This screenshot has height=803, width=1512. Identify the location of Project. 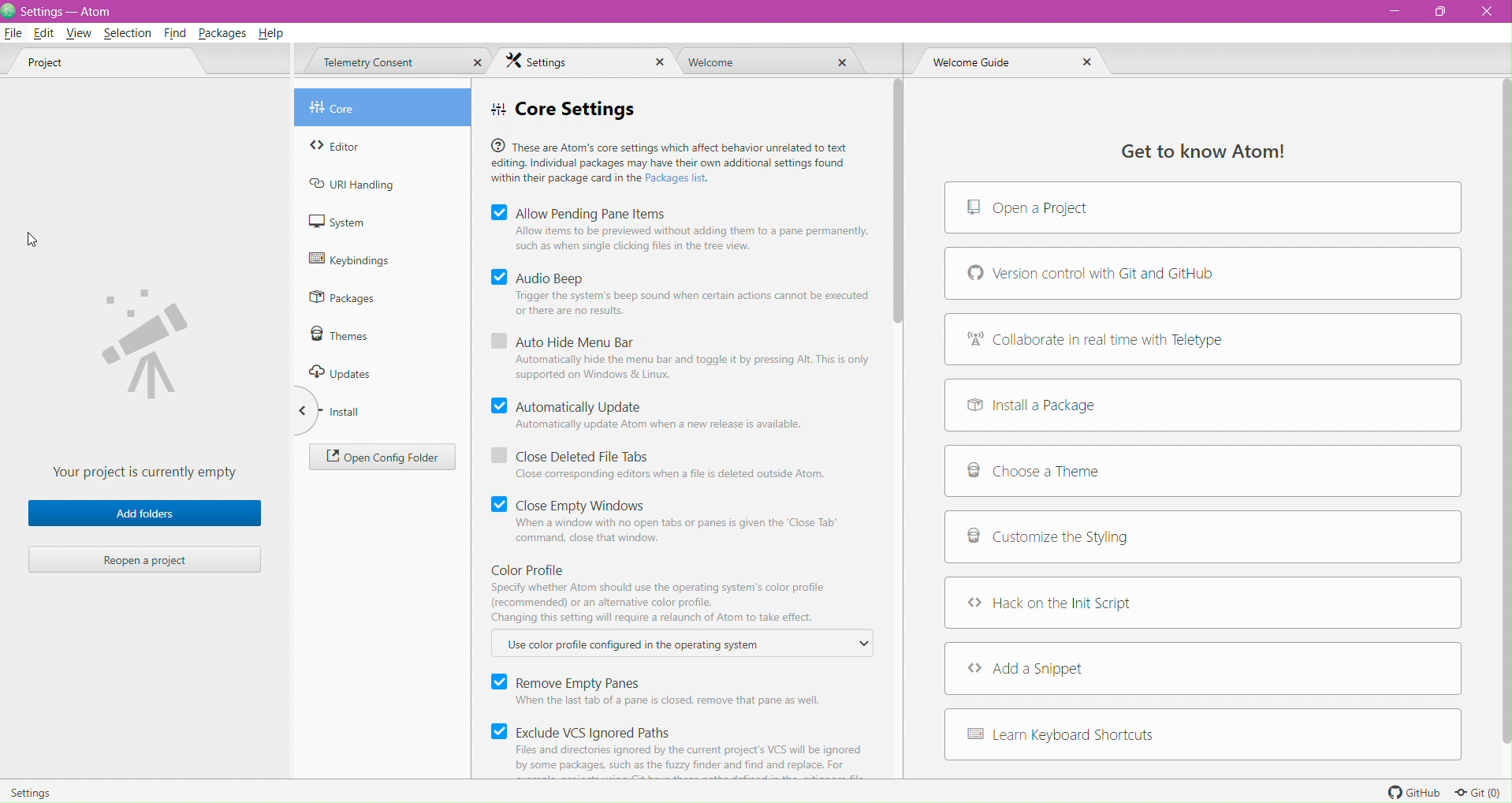
(66, 65).